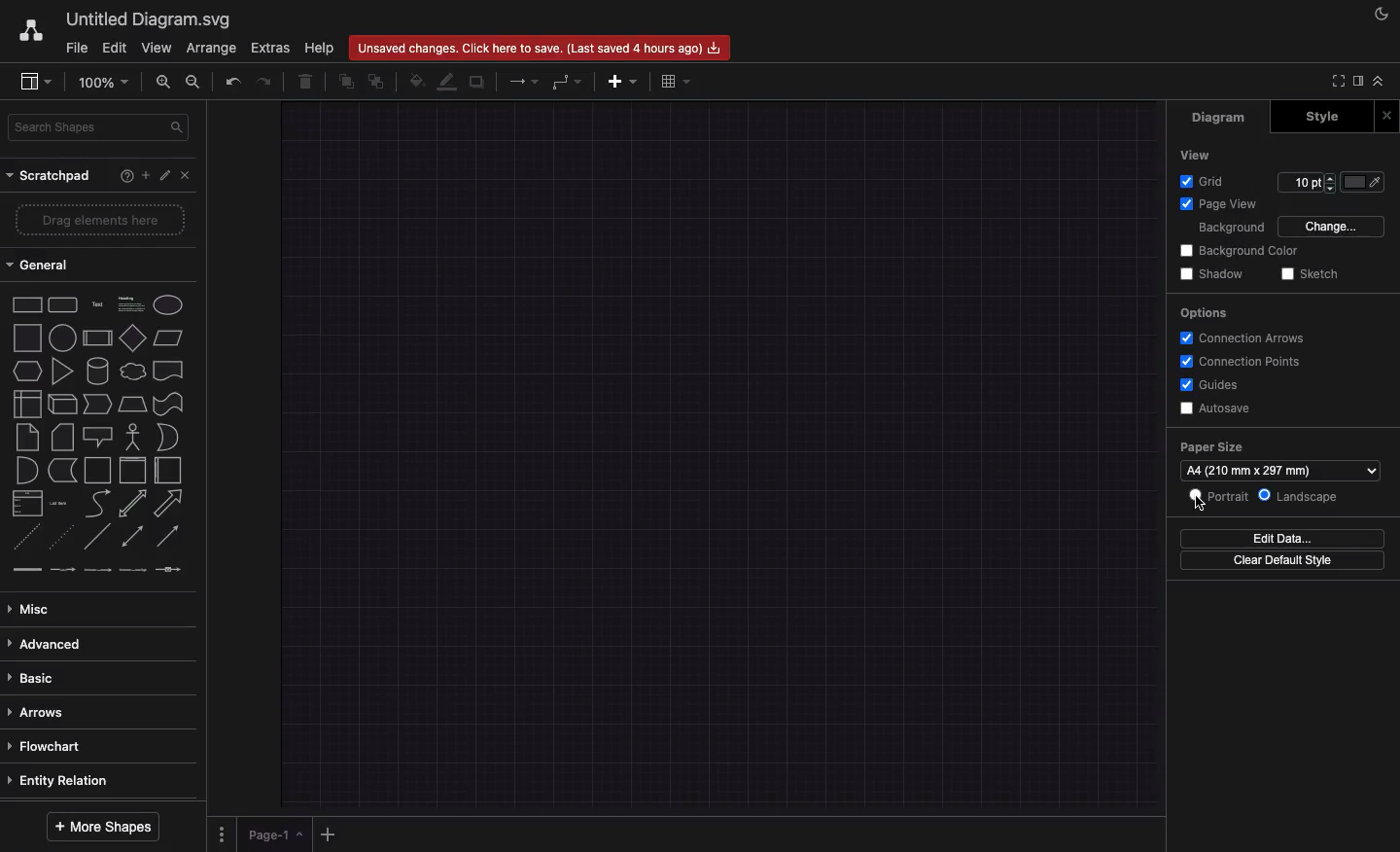  Describe the element at coordinates (1229, 228) in the screenshot. I see `Background` at that location.